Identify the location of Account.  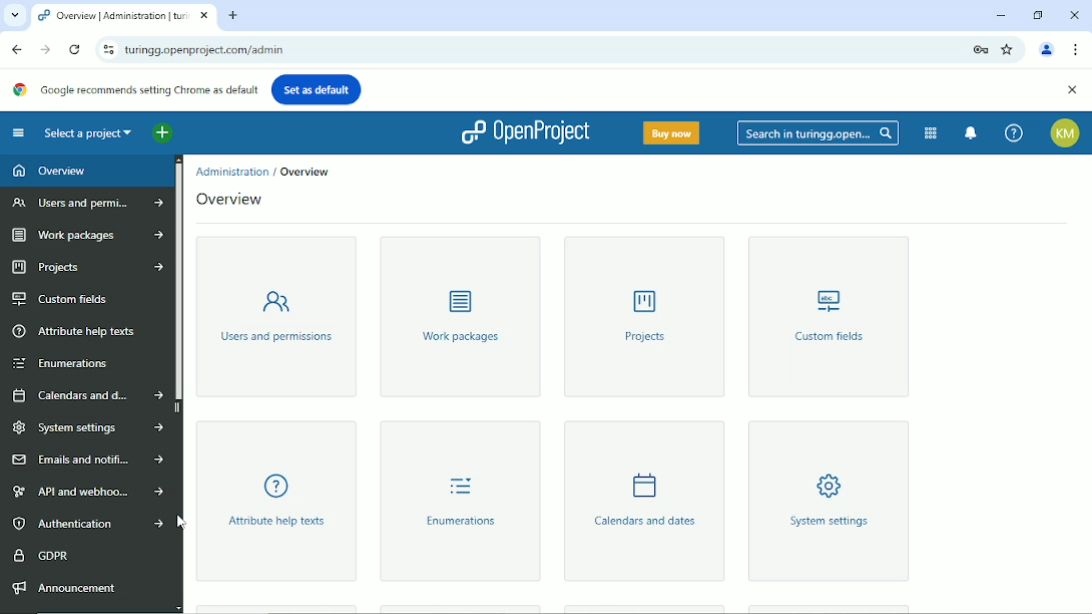
(1066, 133).